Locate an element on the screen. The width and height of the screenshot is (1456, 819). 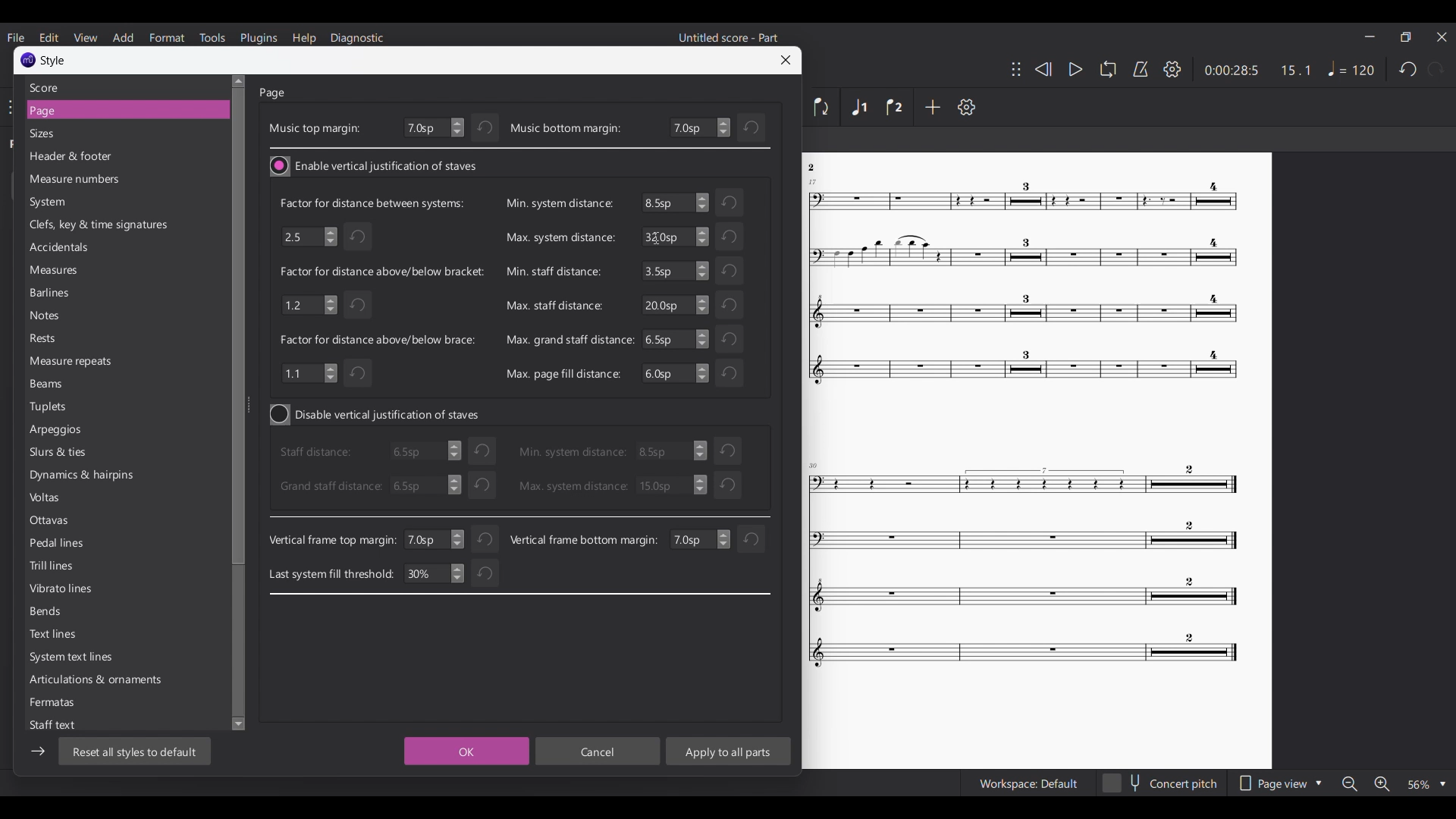
System text line is located at coordinates (76, 659).